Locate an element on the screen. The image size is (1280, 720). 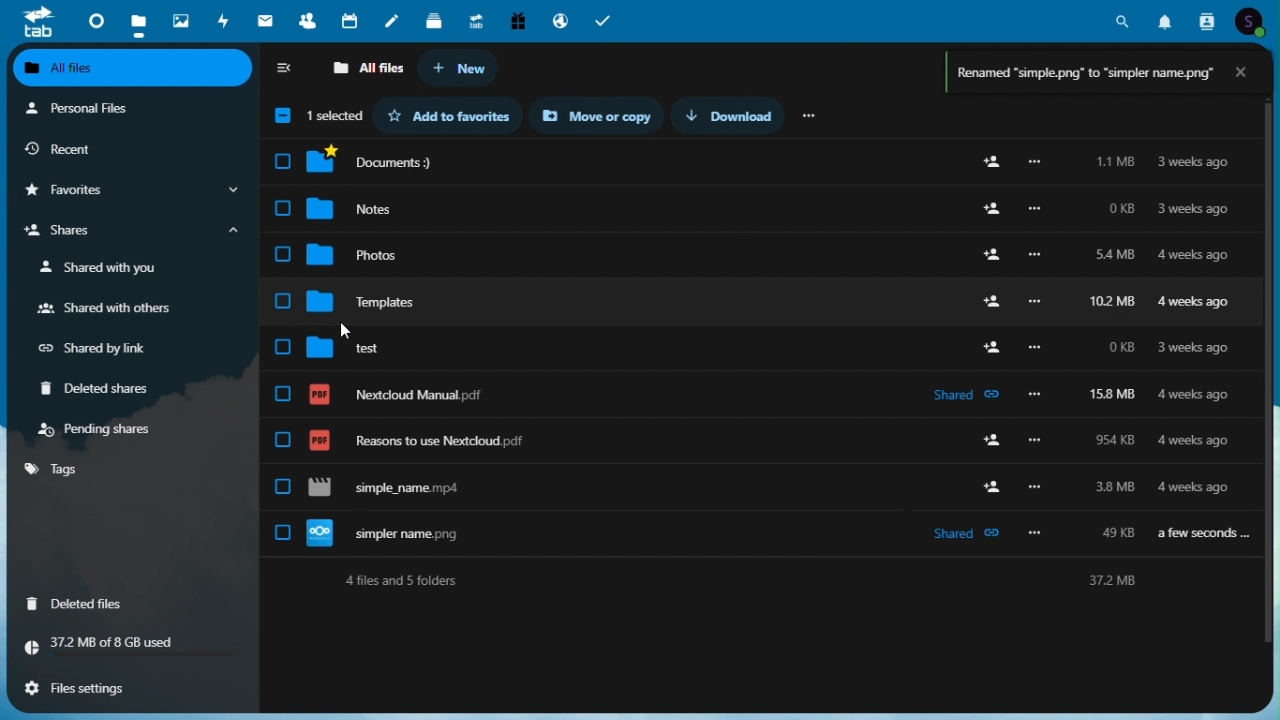
37.2 MB of 8 GB Total is located at coordinates (131, 644).